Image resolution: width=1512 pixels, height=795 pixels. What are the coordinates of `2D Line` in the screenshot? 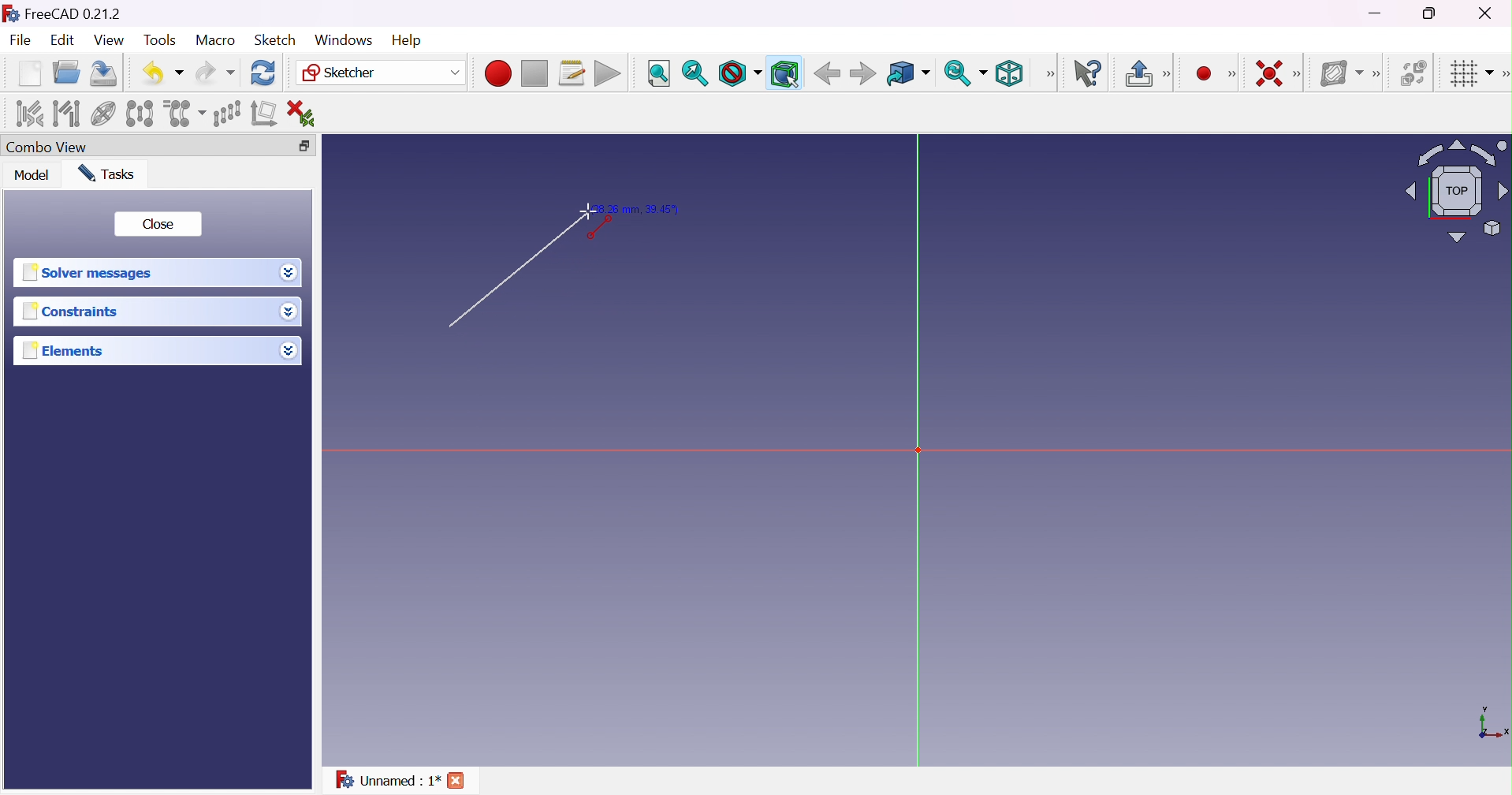 It's located at (509, 279).